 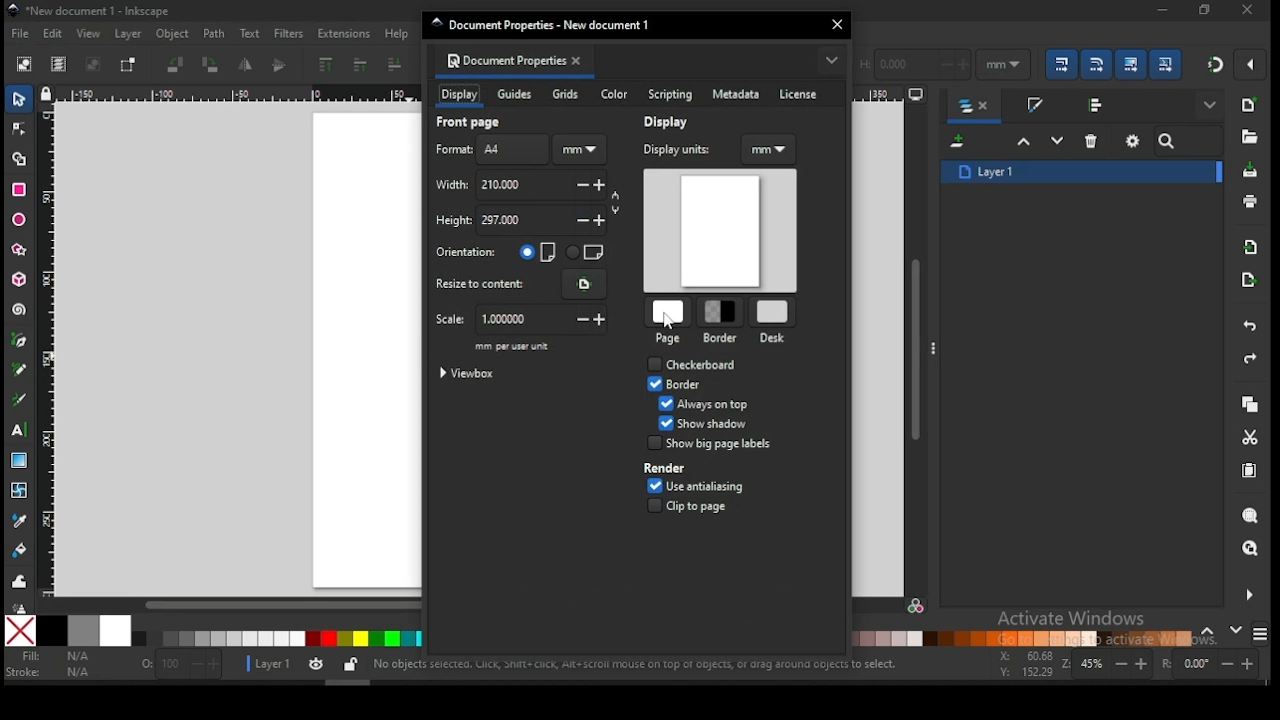 I want to click on activate windows, so click(x=1069, y=620).